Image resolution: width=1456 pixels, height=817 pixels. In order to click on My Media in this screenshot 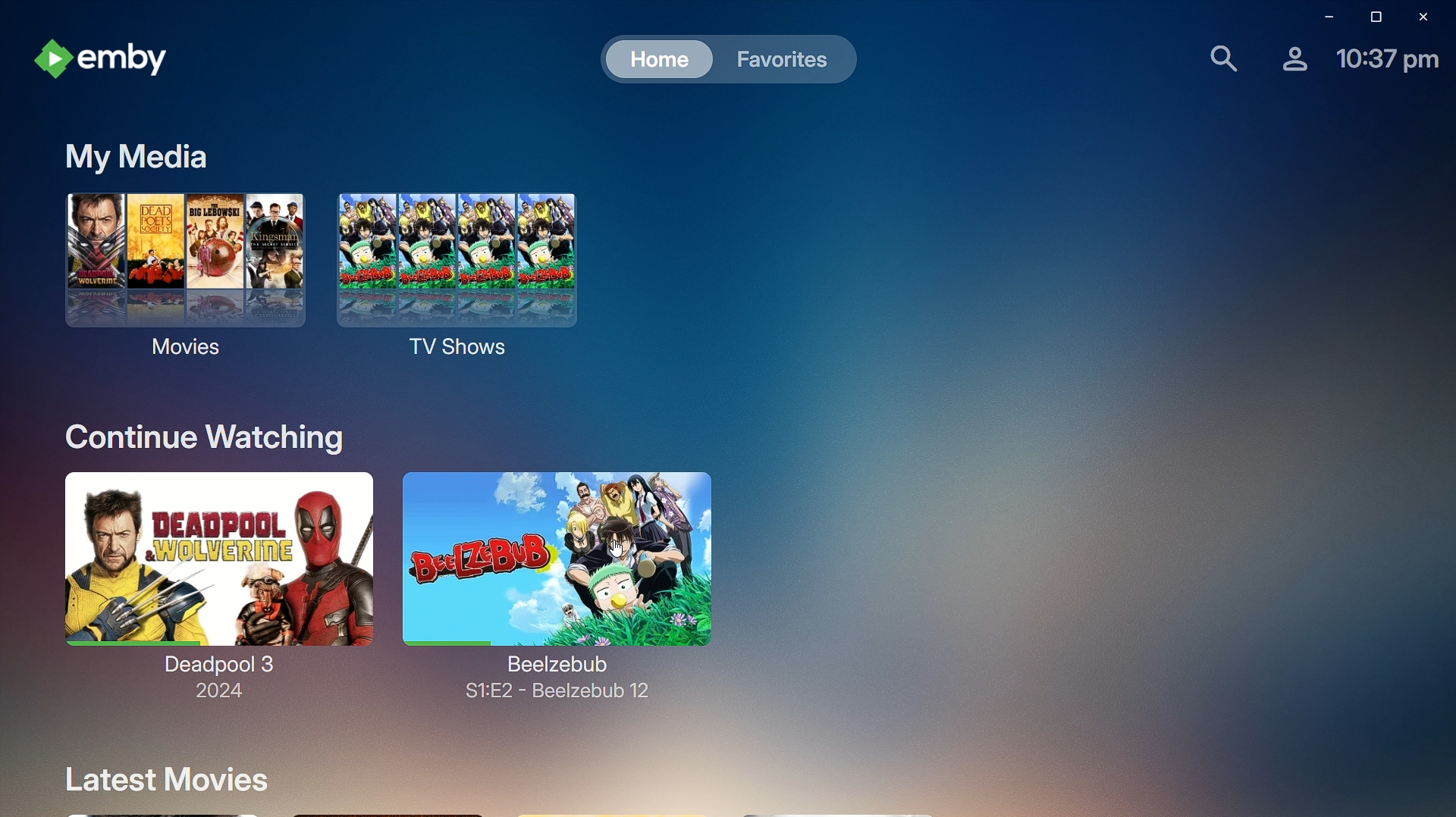, I will do `click(136, 159)`.